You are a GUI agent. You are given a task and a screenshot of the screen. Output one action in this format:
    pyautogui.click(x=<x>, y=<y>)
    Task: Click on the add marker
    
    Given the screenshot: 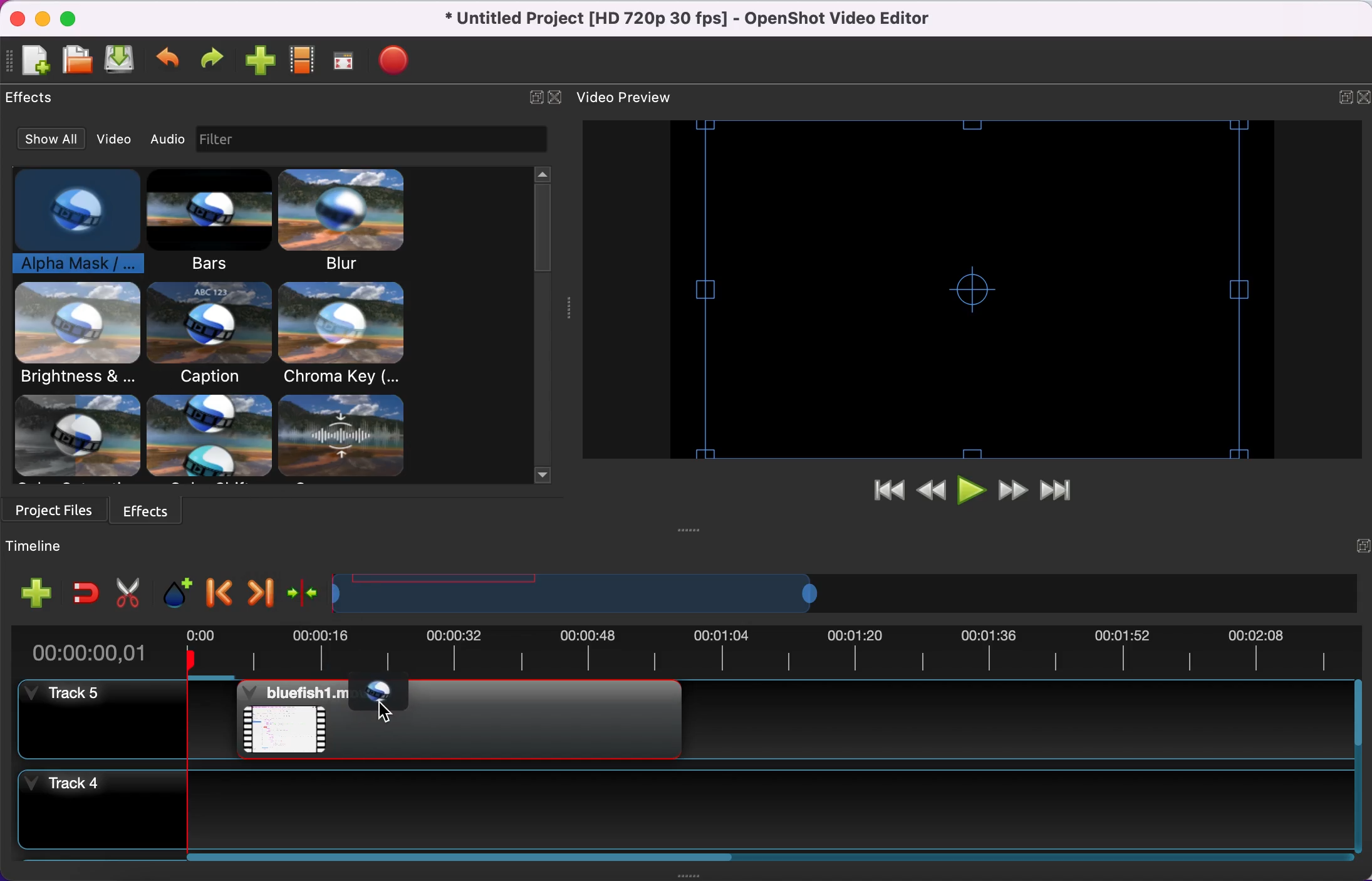 What is the action you would take?
    pyautogui.click(x=173, y=591)
    